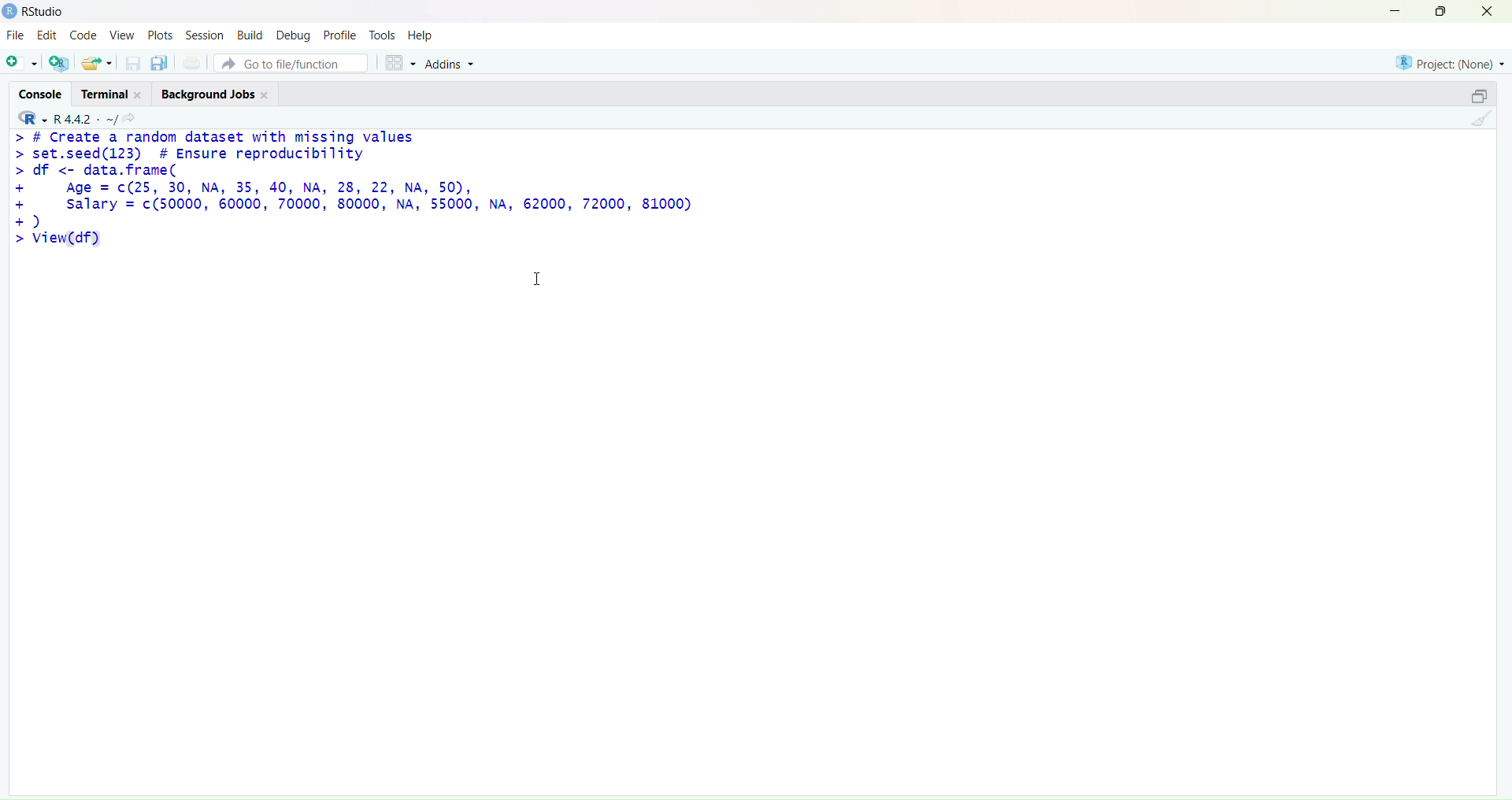 The width and height of the screenshot is (1512, 800). Describe the element at coordinates (1483, 121) in the screenshot. I see `clear console ` at that location.